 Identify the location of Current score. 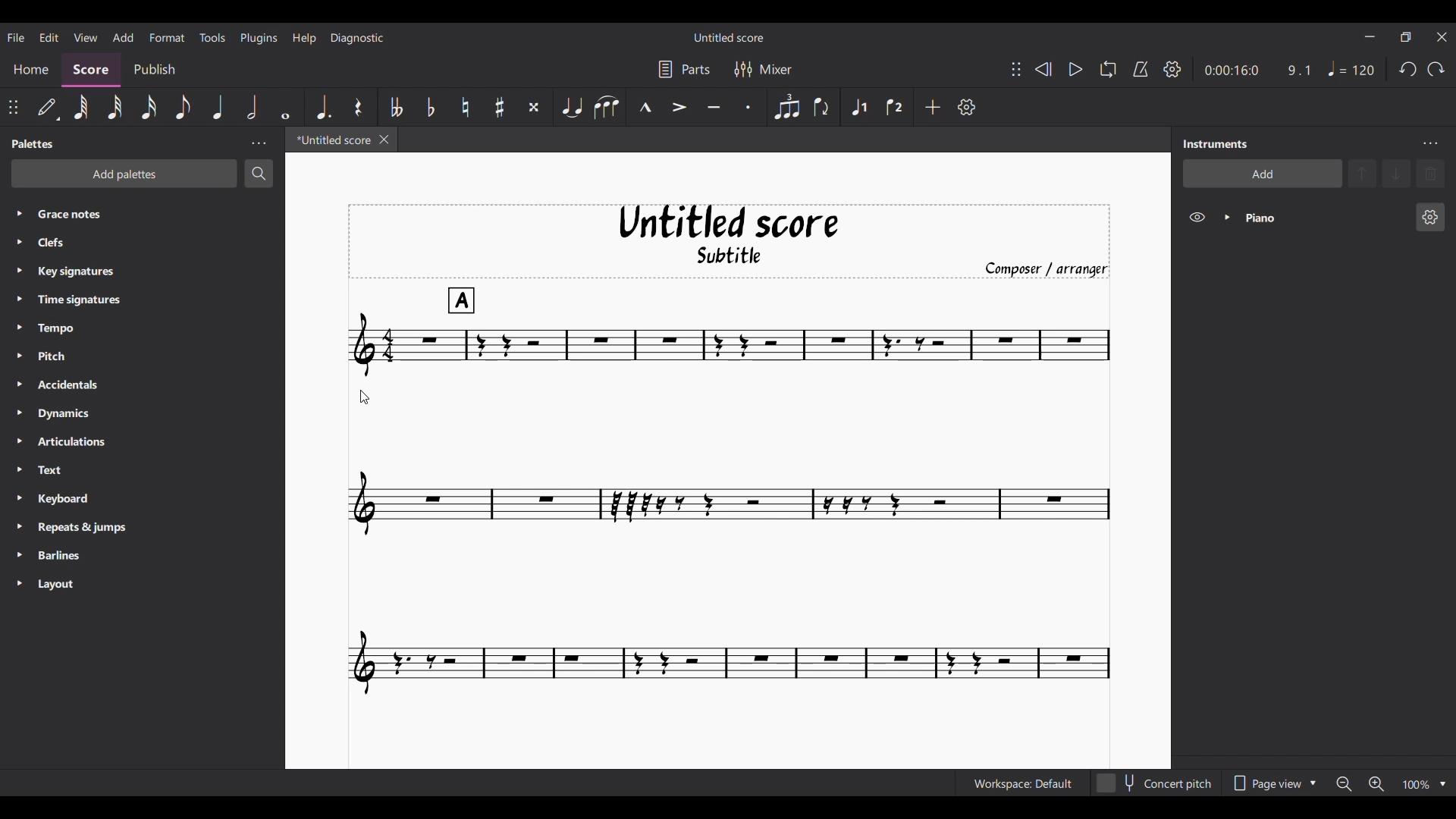
(730, 491).